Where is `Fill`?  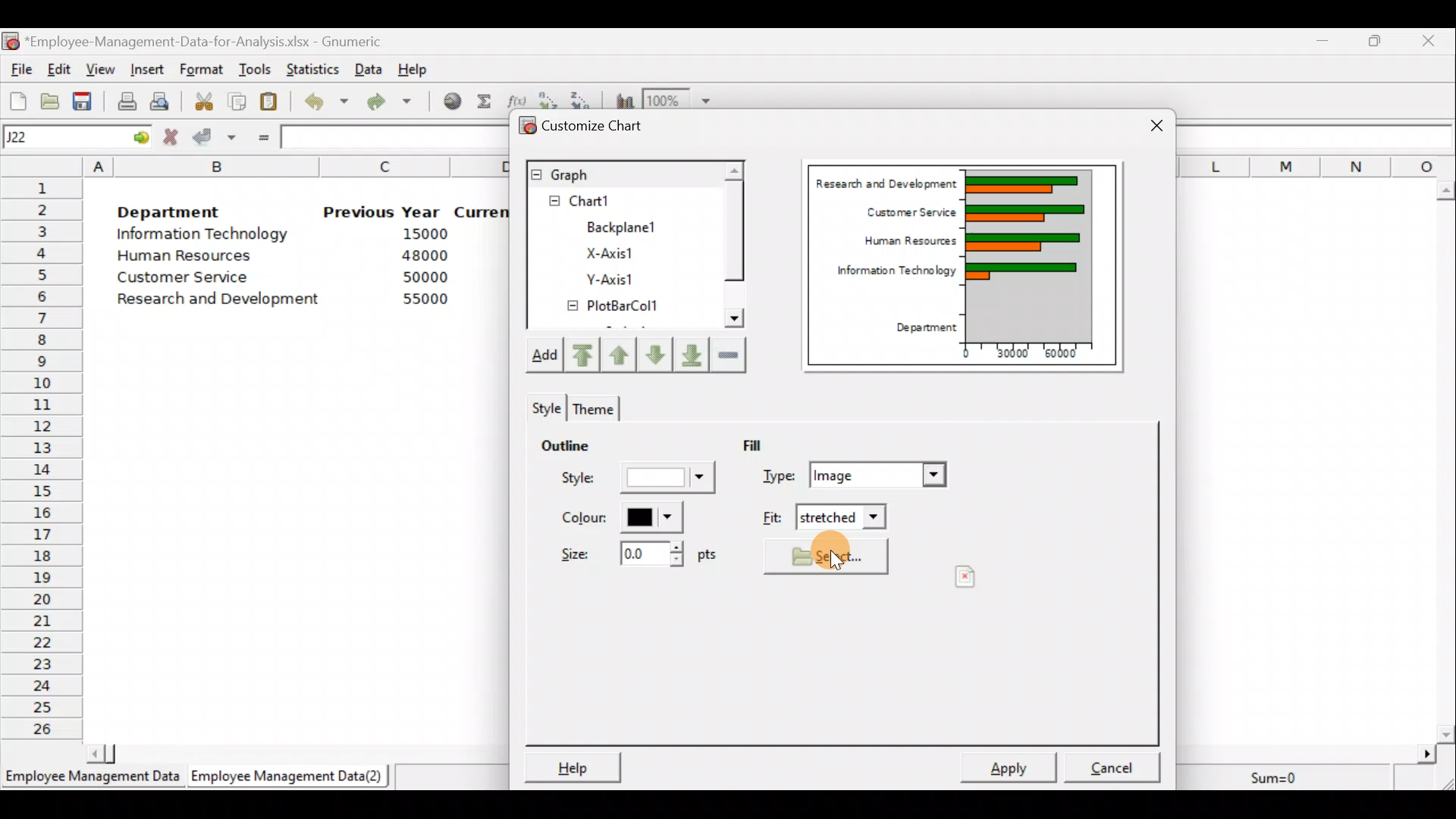 Fill is located at coordinates (771, 444).